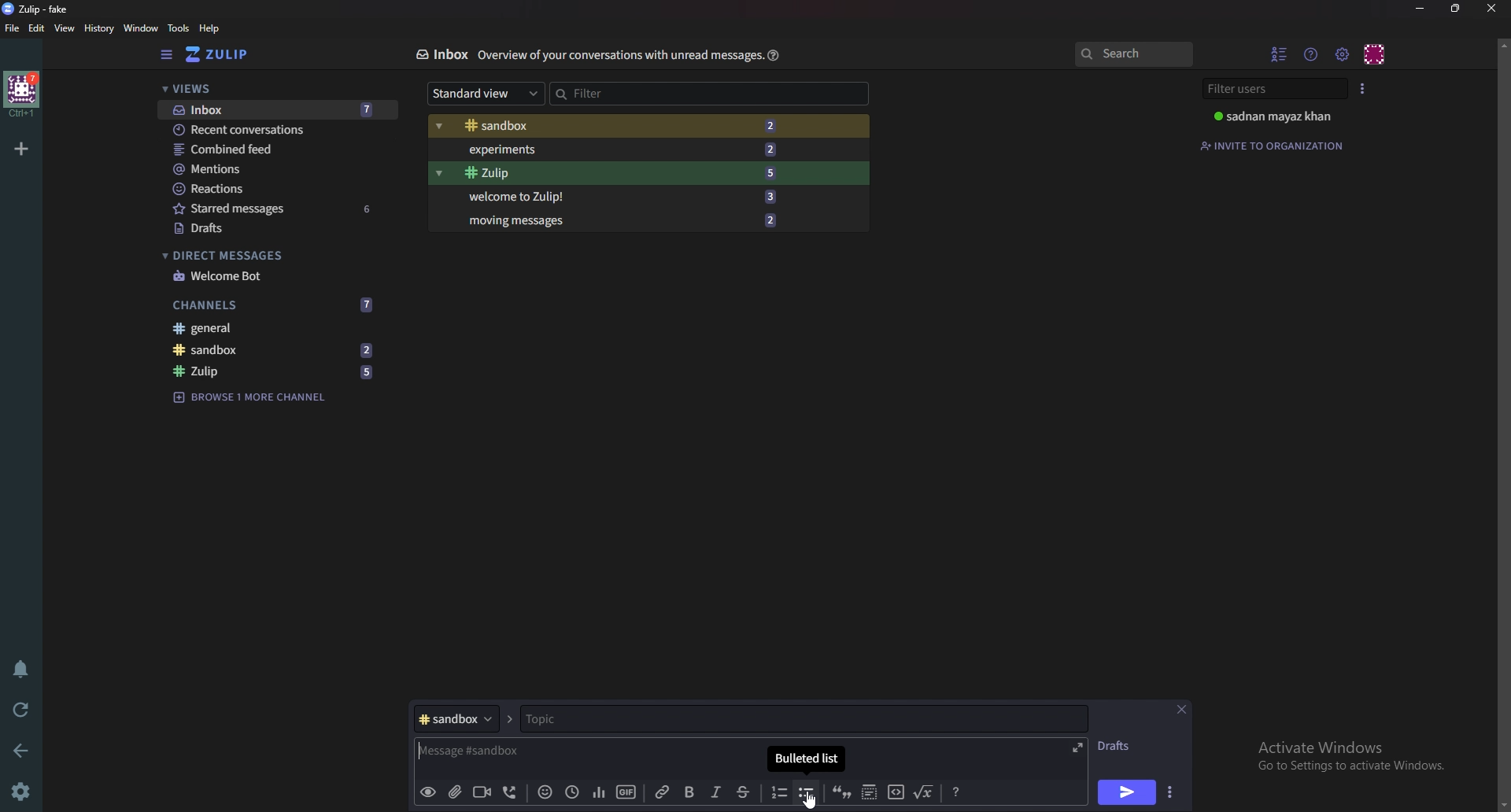  What do you see at coordinates (778, 792) in the screenshot?
I see `Numbered list` at bounding box center [778, 792].